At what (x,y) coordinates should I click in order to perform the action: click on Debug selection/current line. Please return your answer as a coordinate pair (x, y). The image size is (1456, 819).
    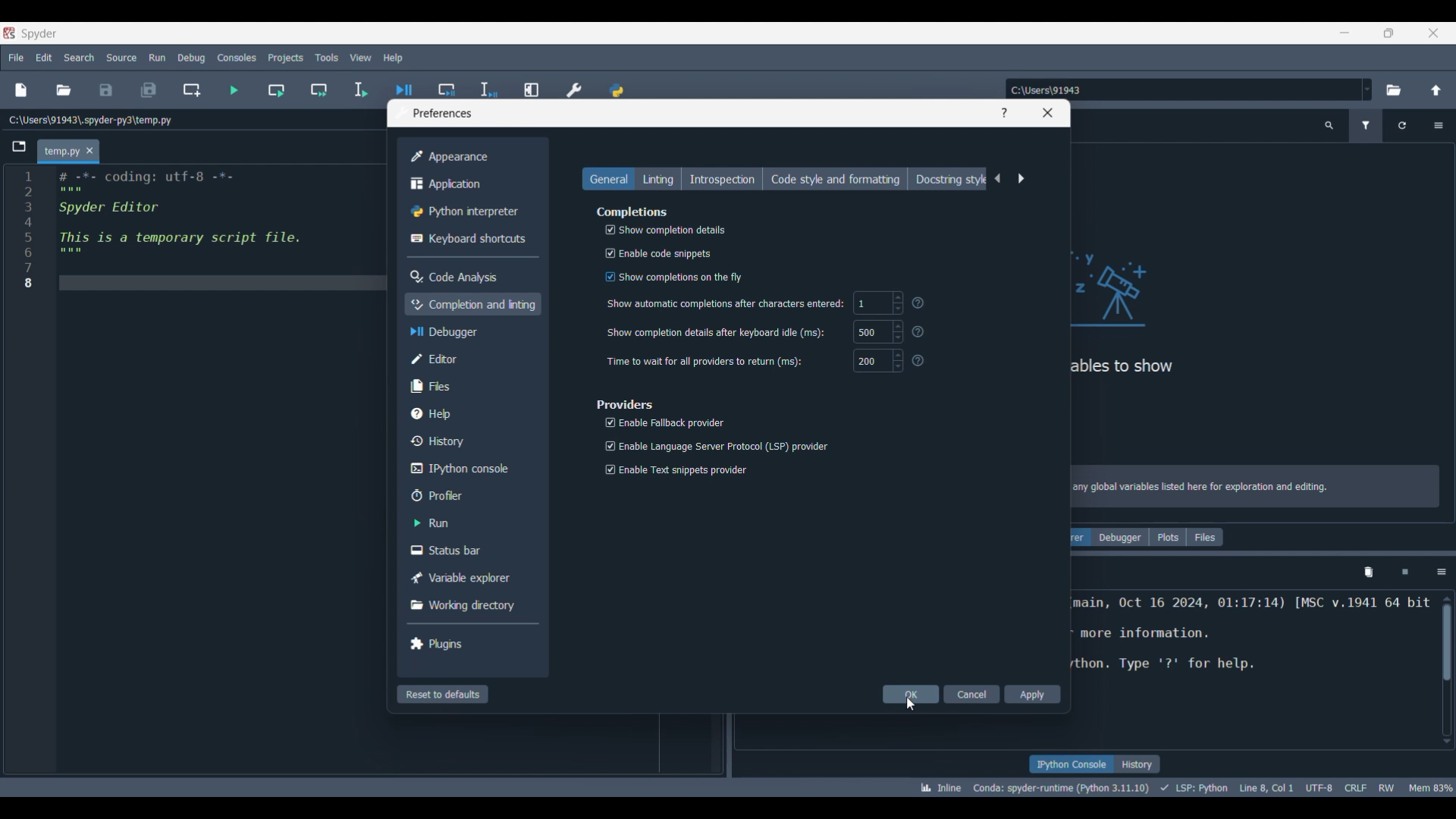
    Looking at the image, I should click on (488, 86).